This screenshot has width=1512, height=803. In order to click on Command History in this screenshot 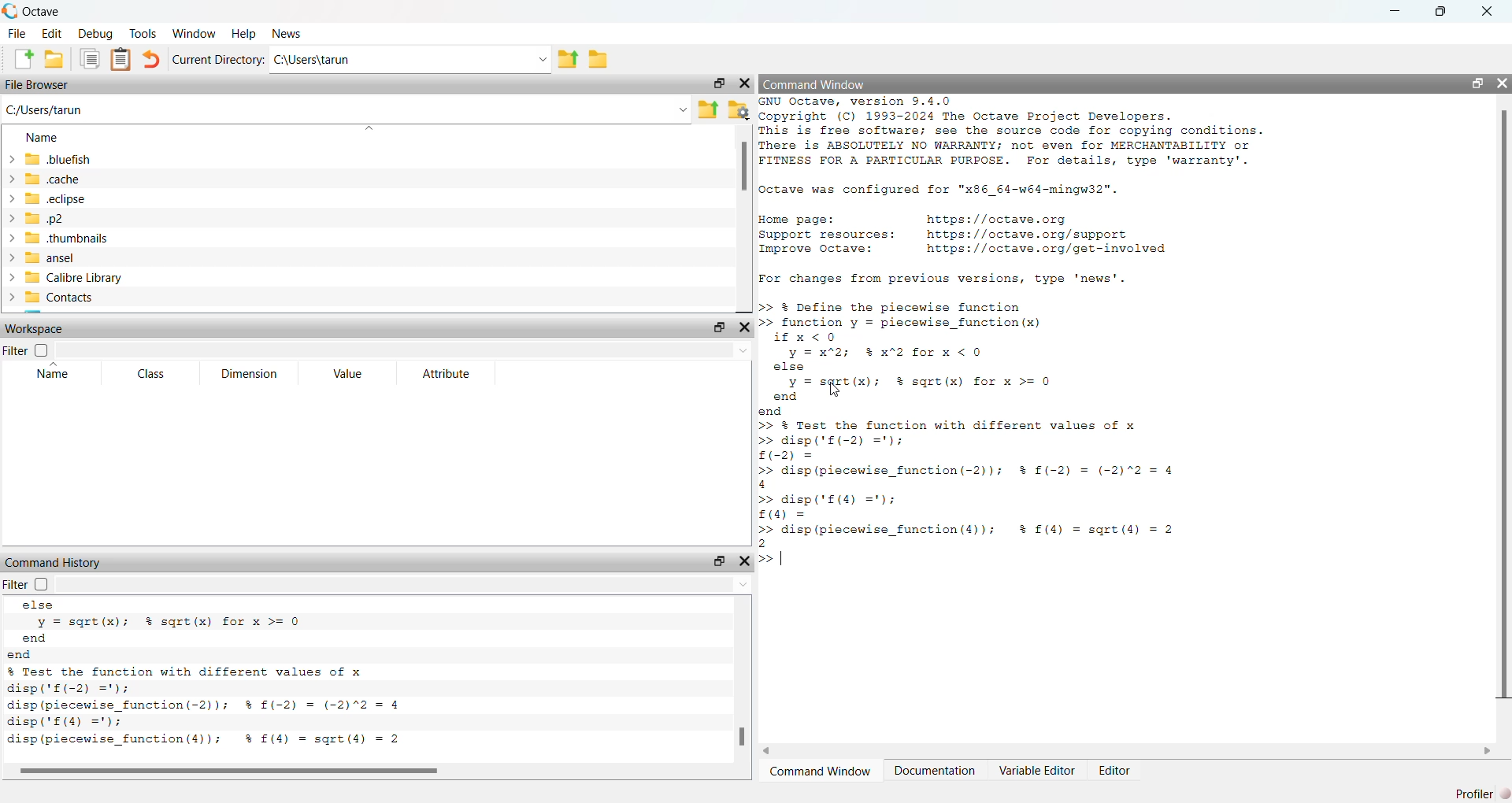, I will do `click(53, 559)`.